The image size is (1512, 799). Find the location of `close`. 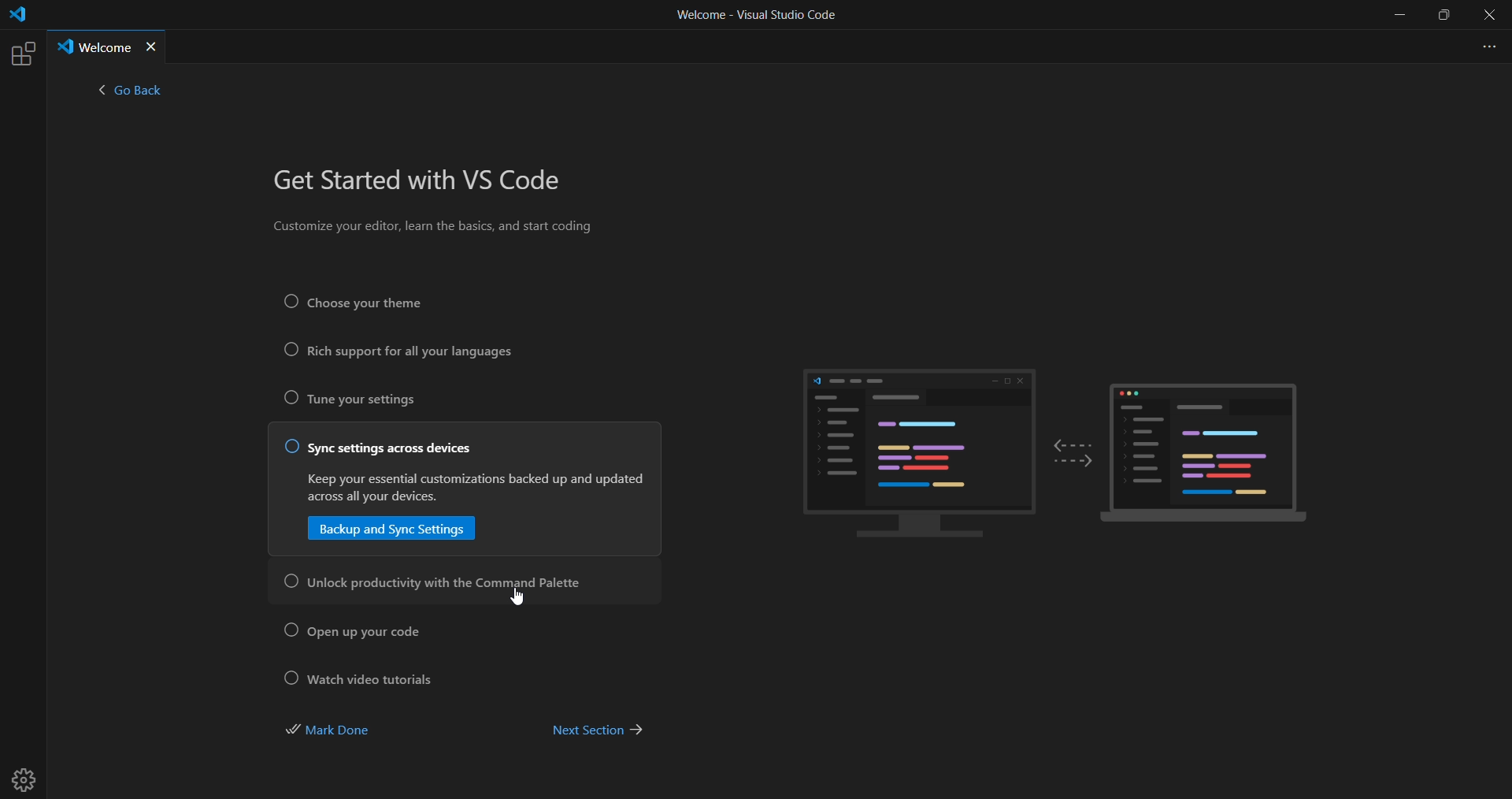

close is located at coordinates (1490, 16).